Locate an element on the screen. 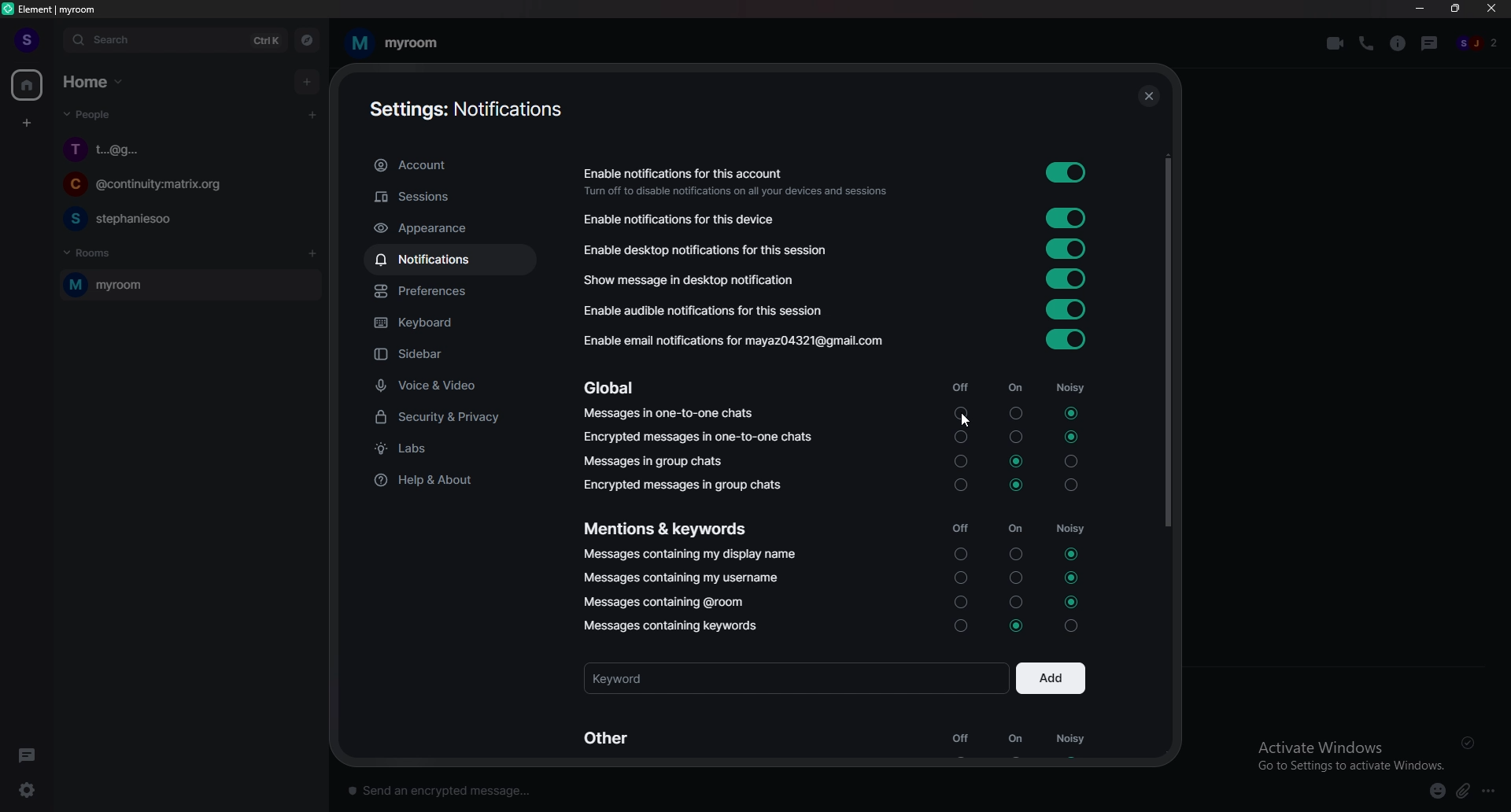 Image resolution: width=1511 pixels, height=812 pixels. home is located at coordinates (28, 86).